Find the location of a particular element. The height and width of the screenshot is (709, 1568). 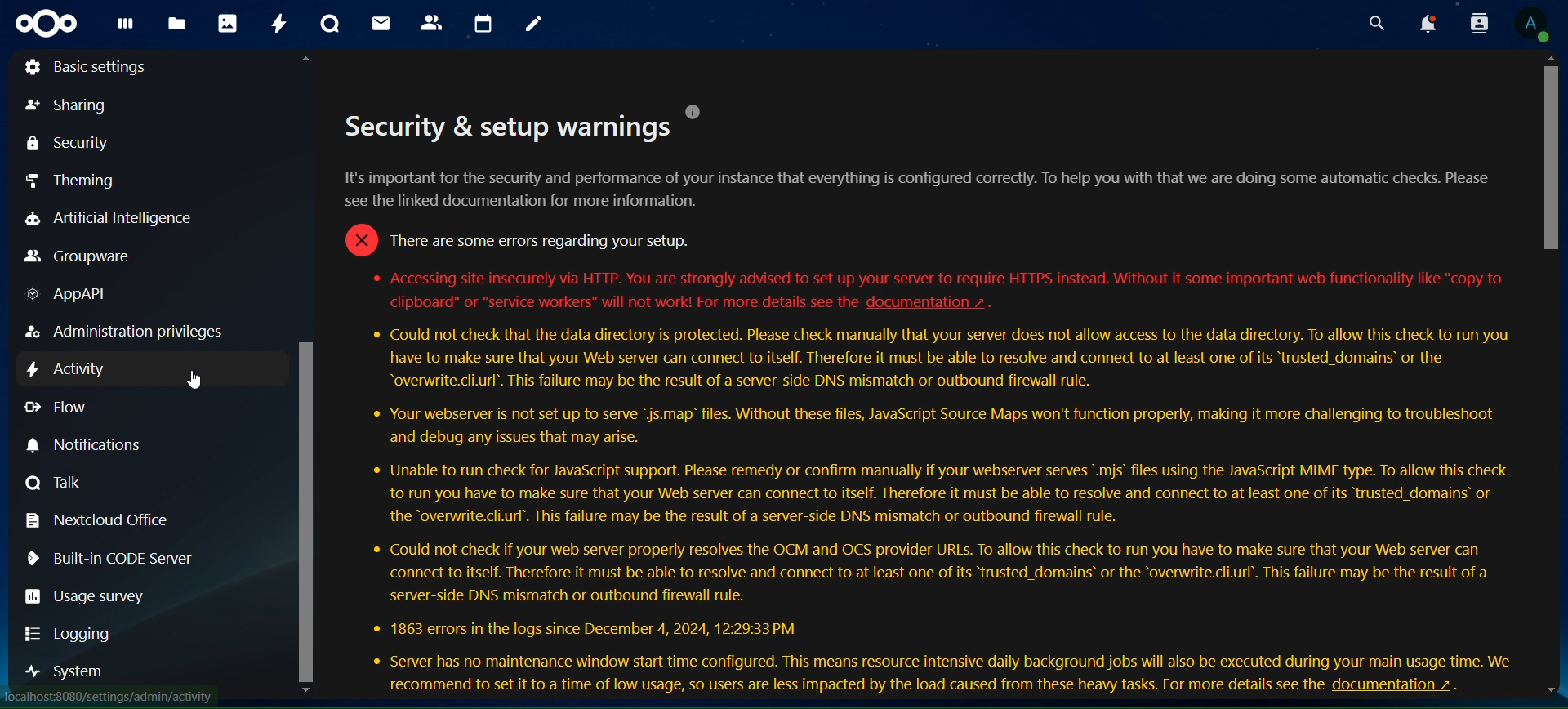

talk is located at coordinates (57, 483).